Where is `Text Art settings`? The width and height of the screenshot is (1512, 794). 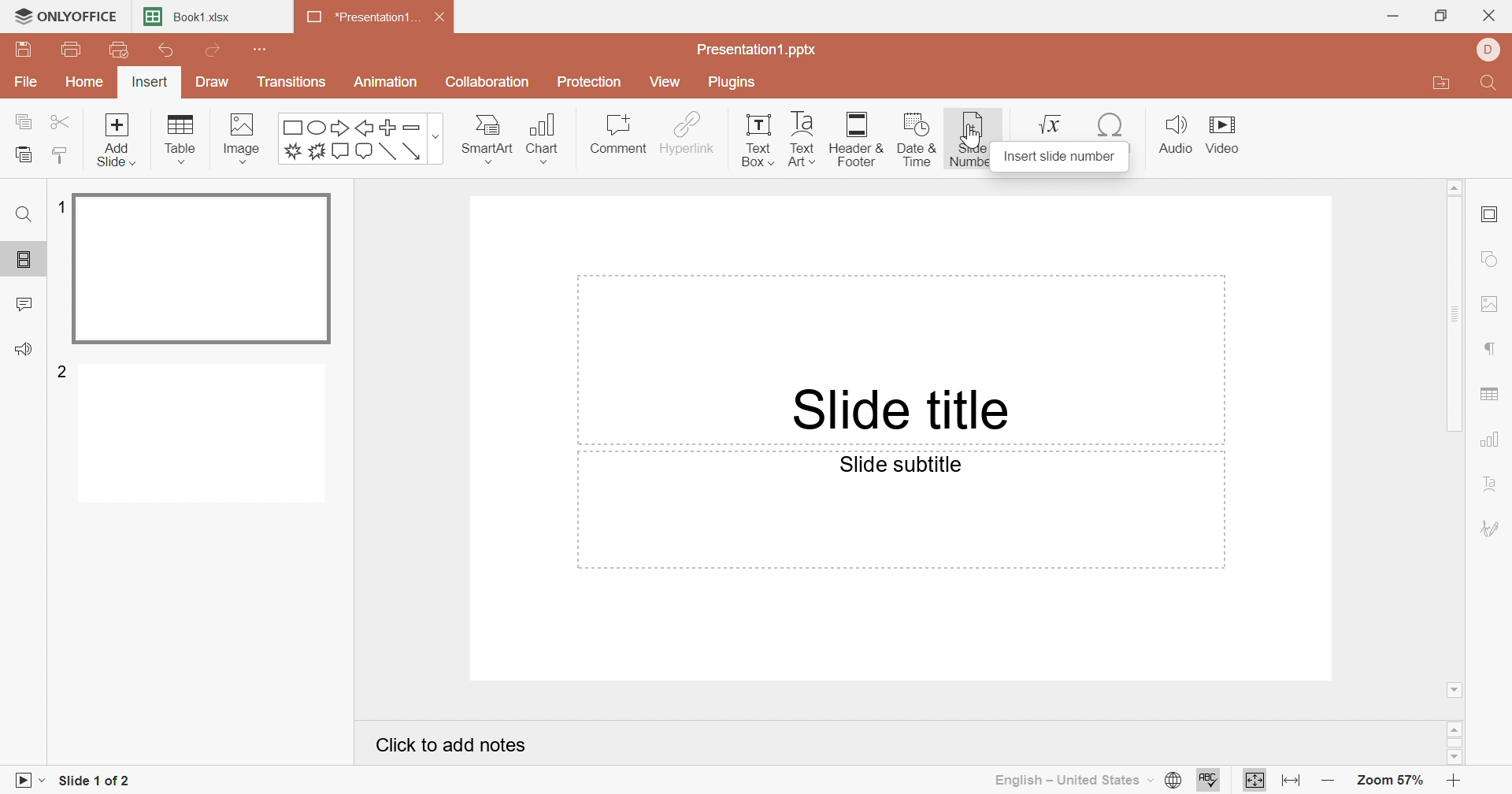
Text Art settings is located at coordinates (1491, 485).